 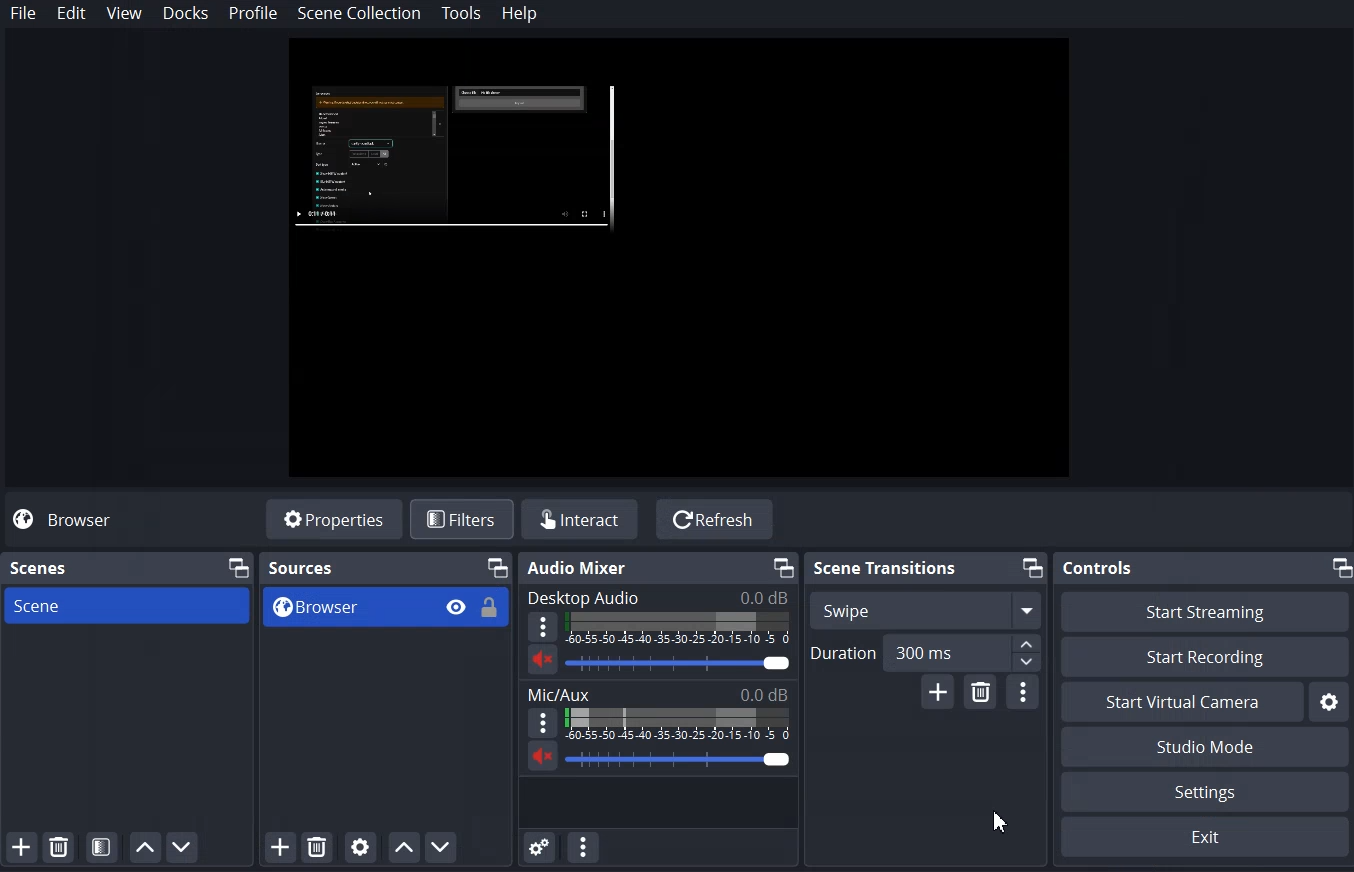 I want to click on Volume Adjuster, so click(x=677, y=758).